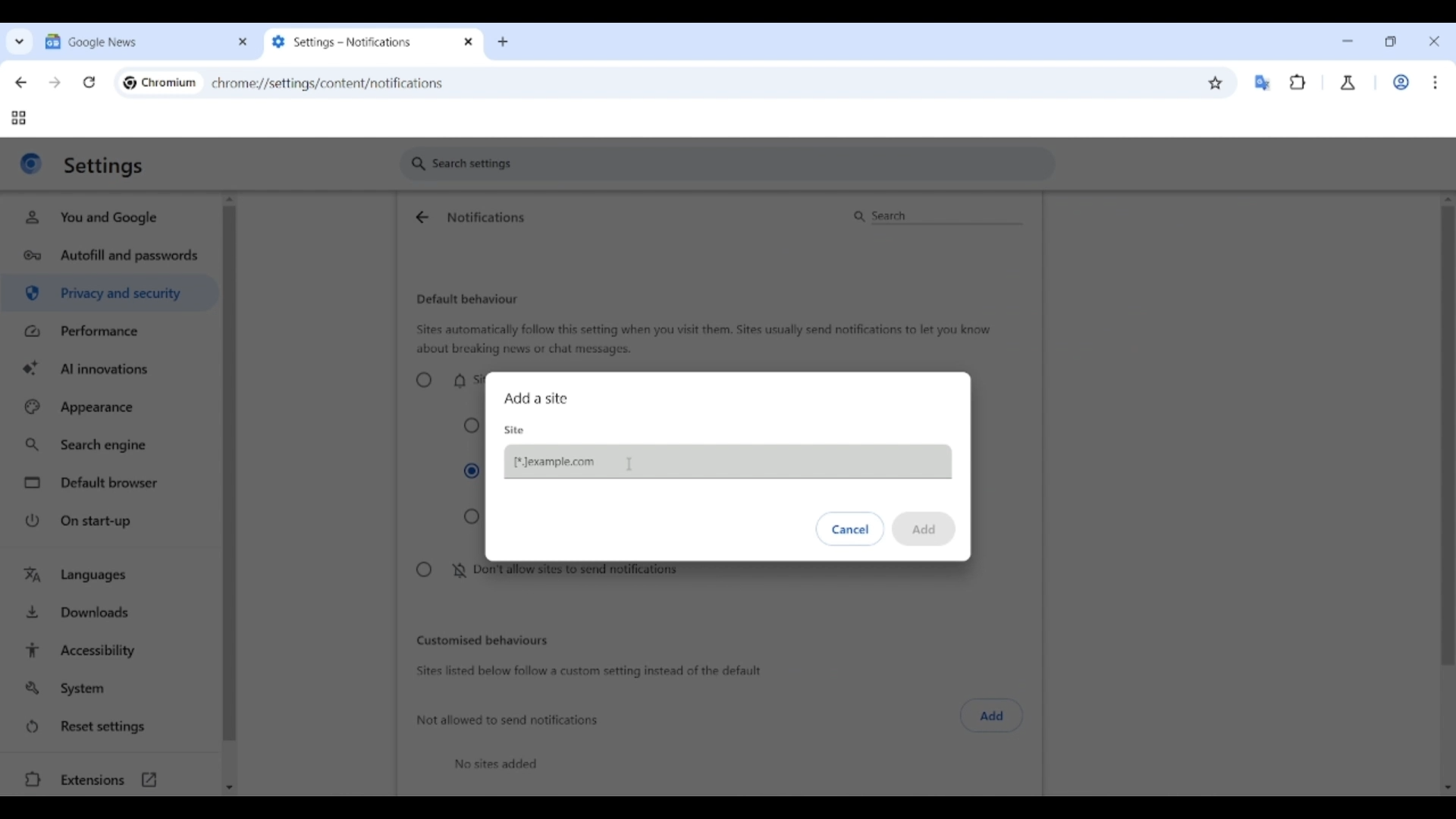  Describe the element at coordinates (111, 610) in the screenshot. I see `Downloads` at that location.